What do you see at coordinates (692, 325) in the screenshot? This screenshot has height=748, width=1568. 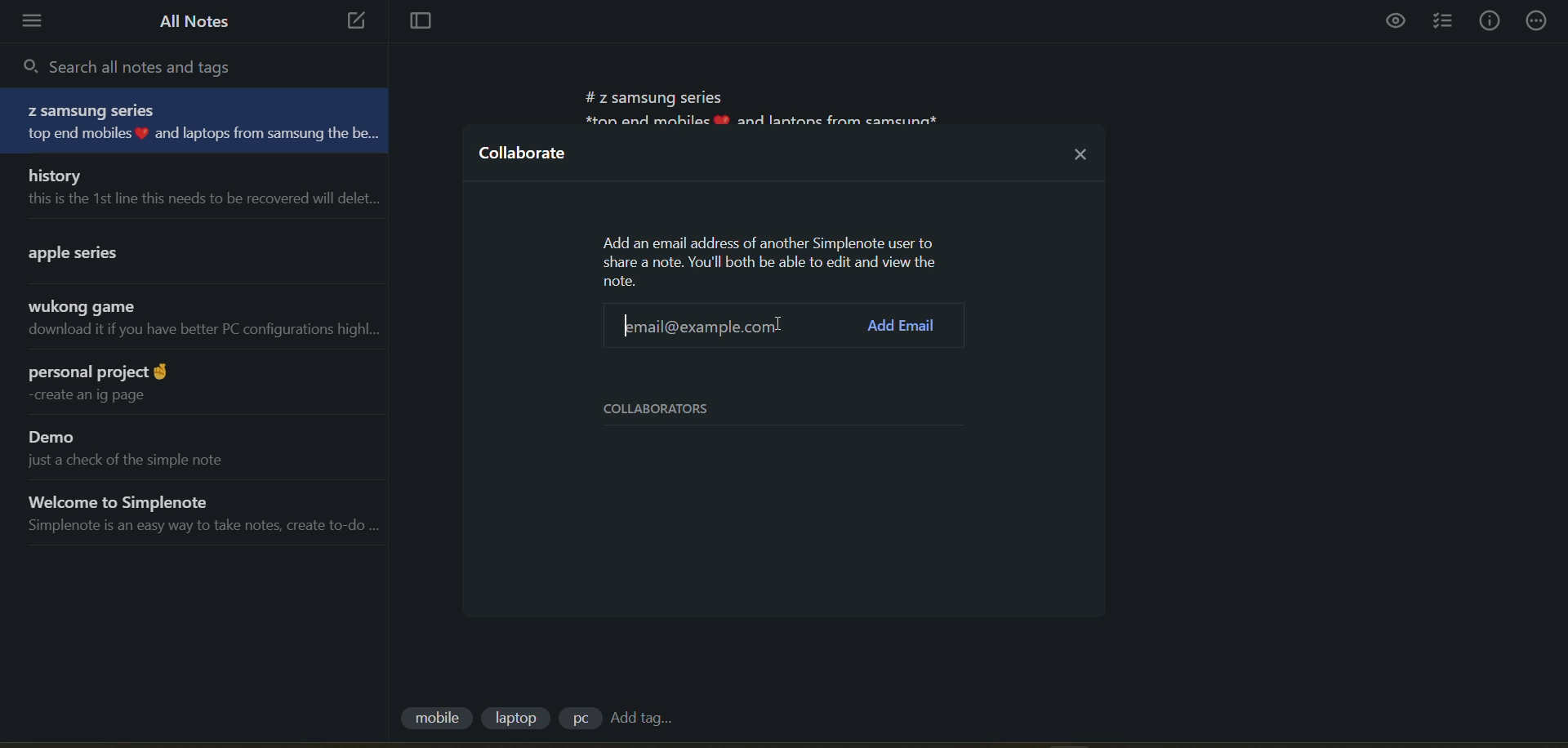 I see `cursor` at bounding box center [692, 325].